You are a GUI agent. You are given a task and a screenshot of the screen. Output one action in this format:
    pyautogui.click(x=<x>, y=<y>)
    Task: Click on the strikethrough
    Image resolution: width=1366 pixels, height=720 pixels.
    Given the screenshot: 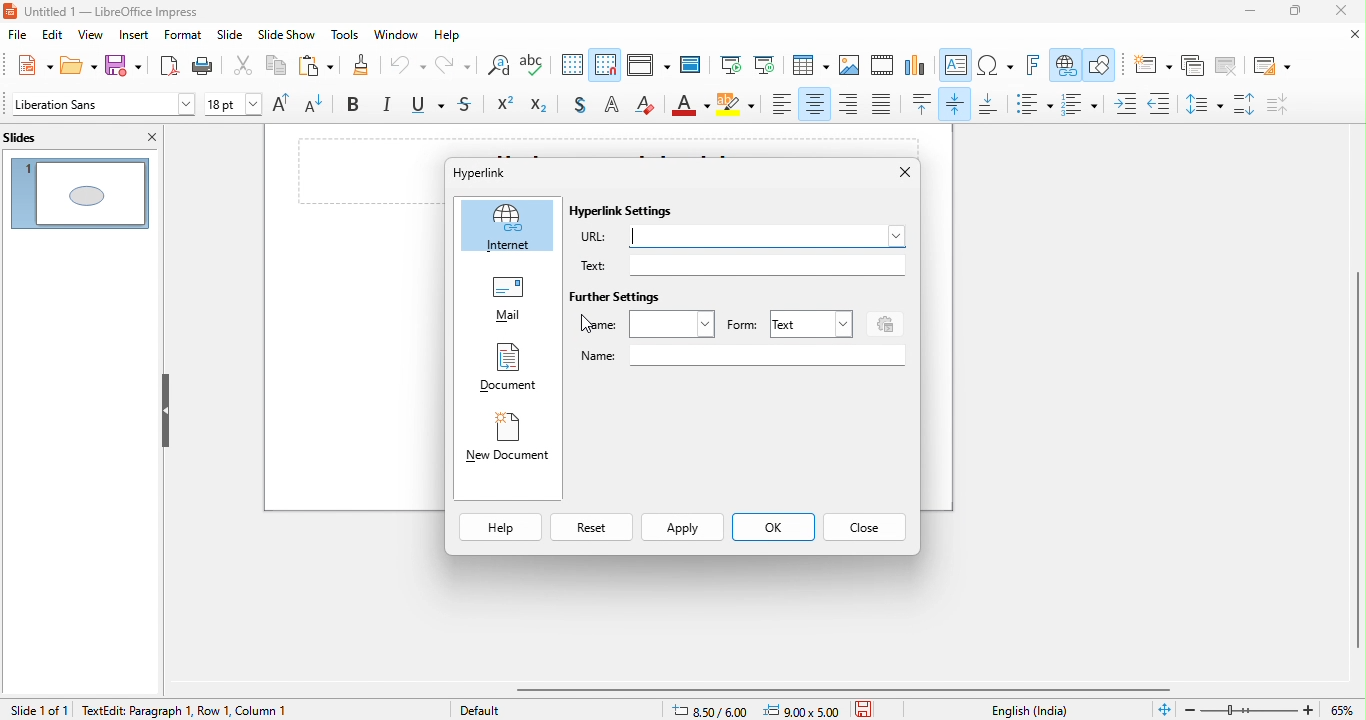 What is the action you would take?
    pyautogui.click(x=469, y=106)
    